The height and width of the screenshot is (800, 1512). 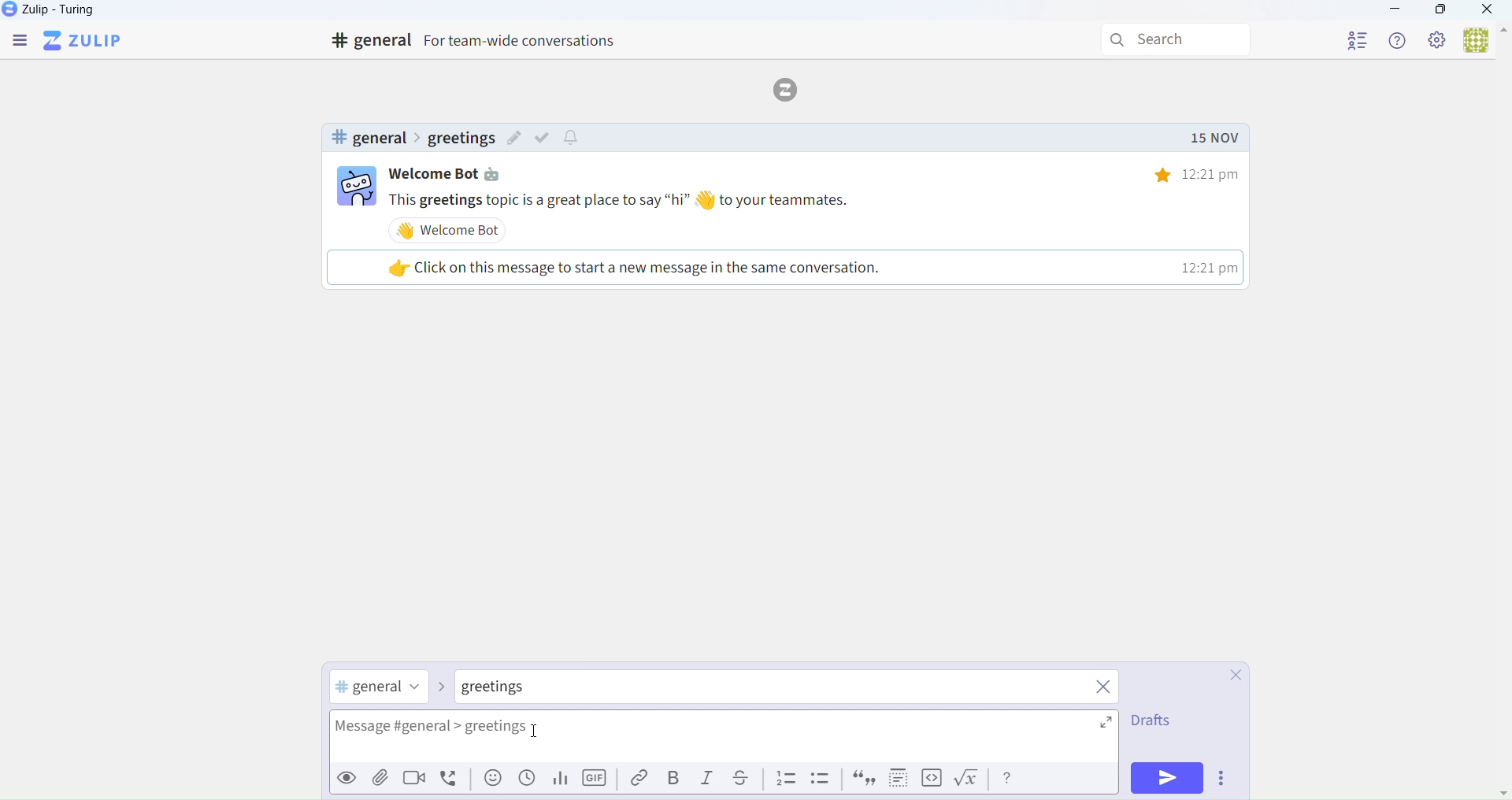 What do you see at coordinates (1105, 689) in the screenshot?
I see `close` at bounding box center [1105, 689].